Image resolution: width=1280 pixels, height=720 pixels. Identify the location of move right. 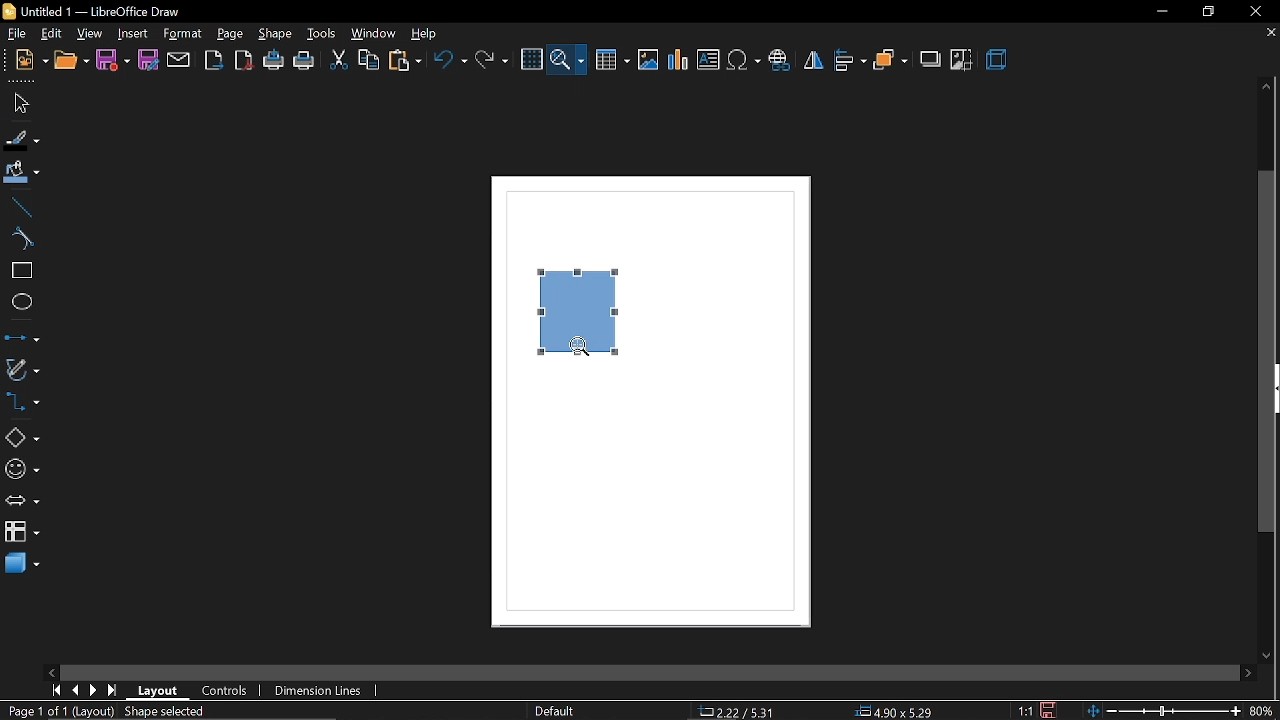
(1248, 675).